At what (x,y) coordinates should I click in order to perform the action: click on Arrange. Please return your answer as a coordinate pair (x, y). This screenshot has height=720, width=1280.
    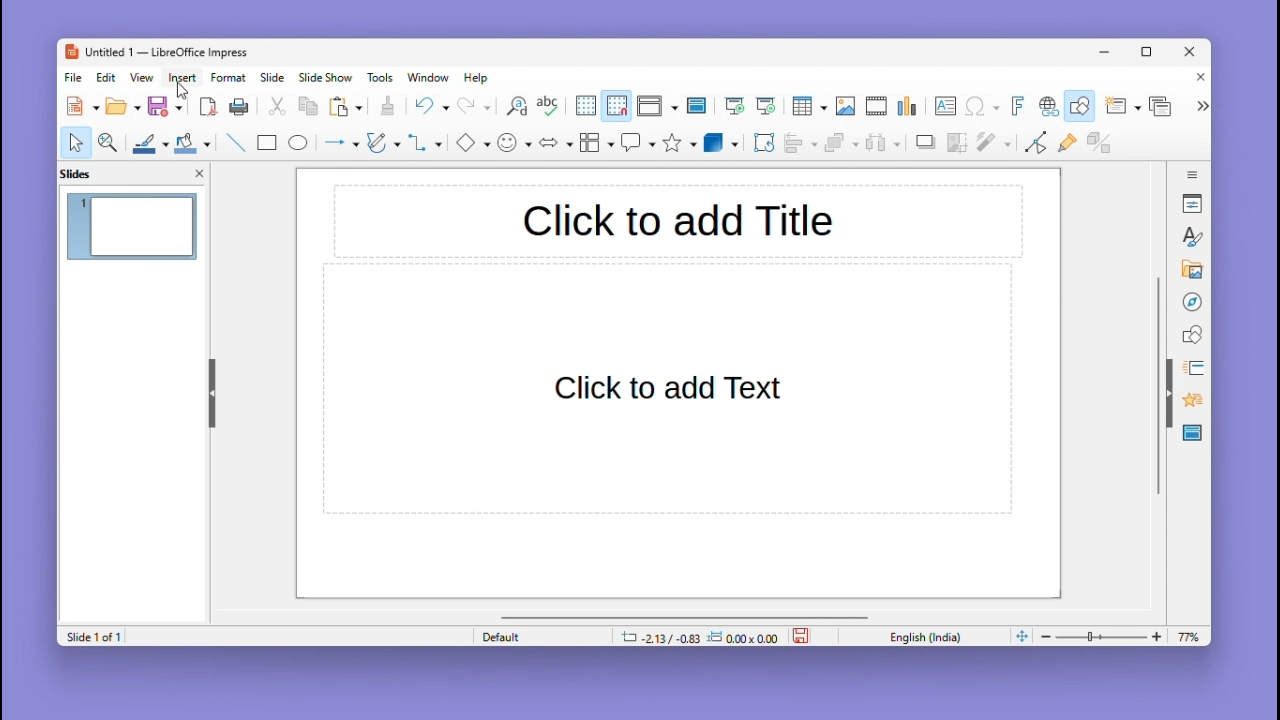
    Looking at the image, I should click on (839, 145).